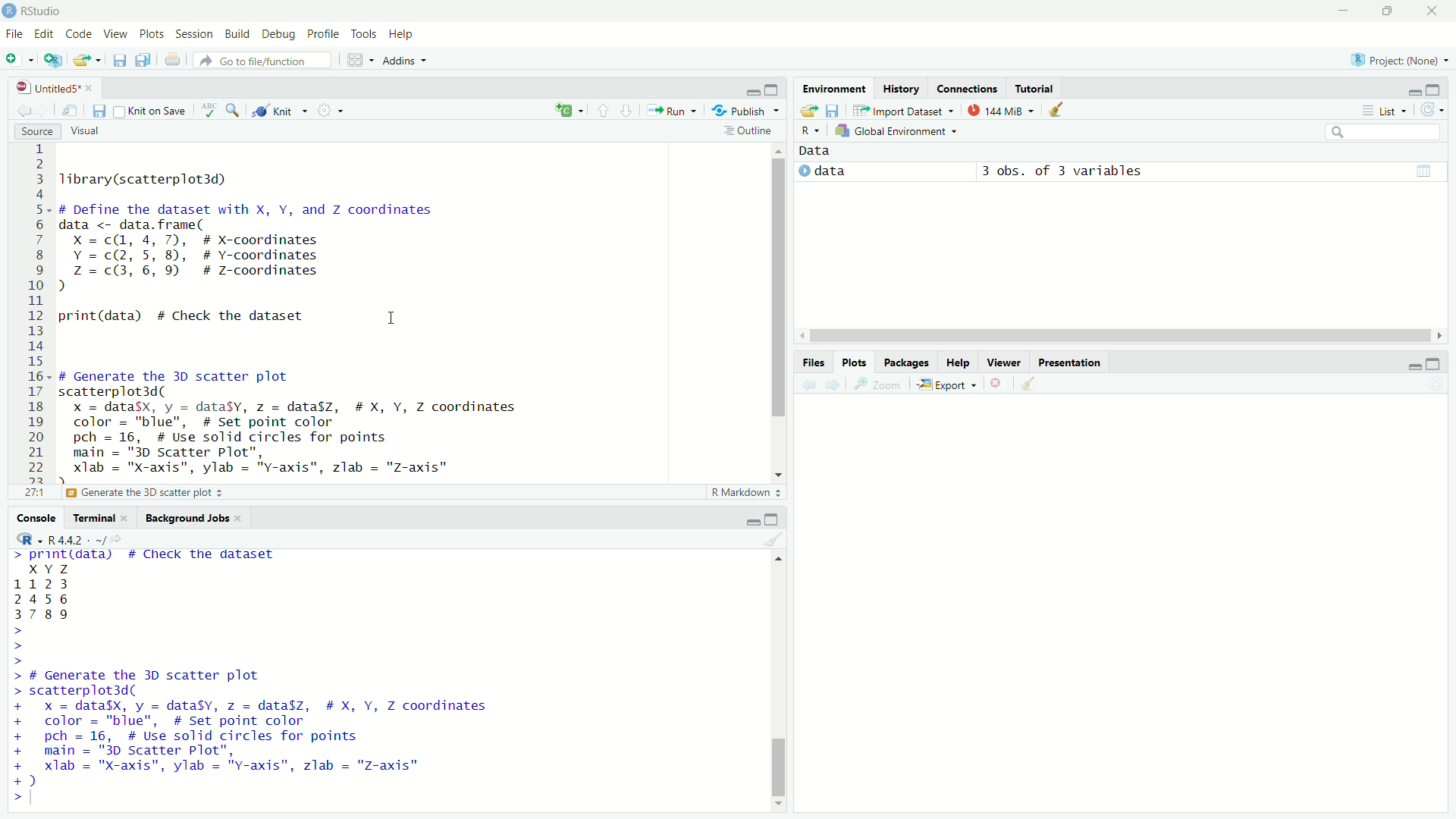 This screenshot has width=1456, height=819. I want to click on # Define the dataset with X, Y, and Z coordinates data <- data.frame(X =c(, 4, 7), # X-coordinatesY = c(2, 5, 8), # Y-coordinatesZz =c(3, 6, 9) # z-coordinates), so click(256, 248).